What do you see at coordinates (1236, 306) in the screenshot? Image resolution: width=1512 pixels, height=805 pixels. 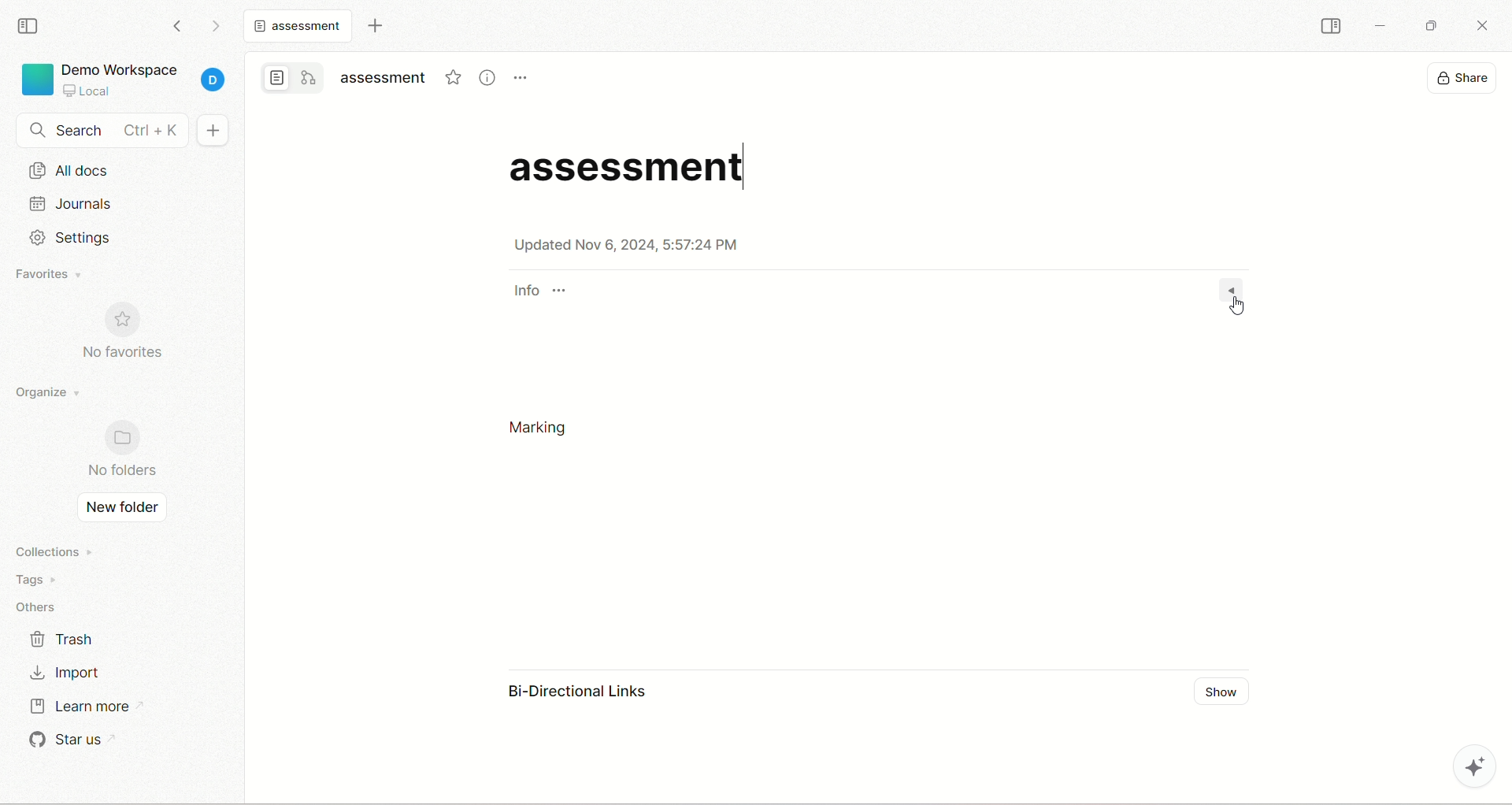 I see `cursor` at bounding box center [1236, 306].